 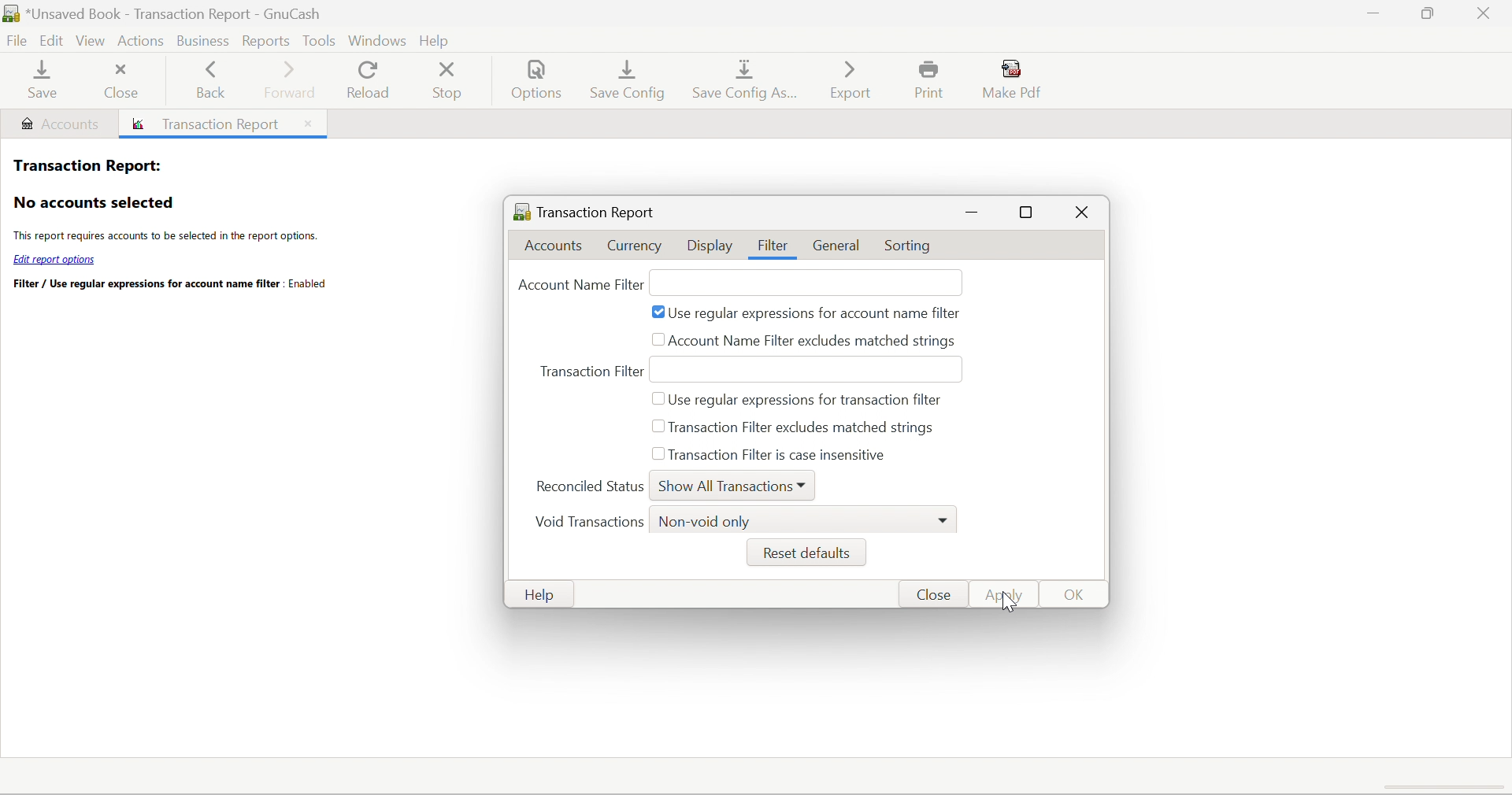 What do you see at coordinates (630, 79) in the screenshot?
I see `Save Config` at bounding box center [630, 79].